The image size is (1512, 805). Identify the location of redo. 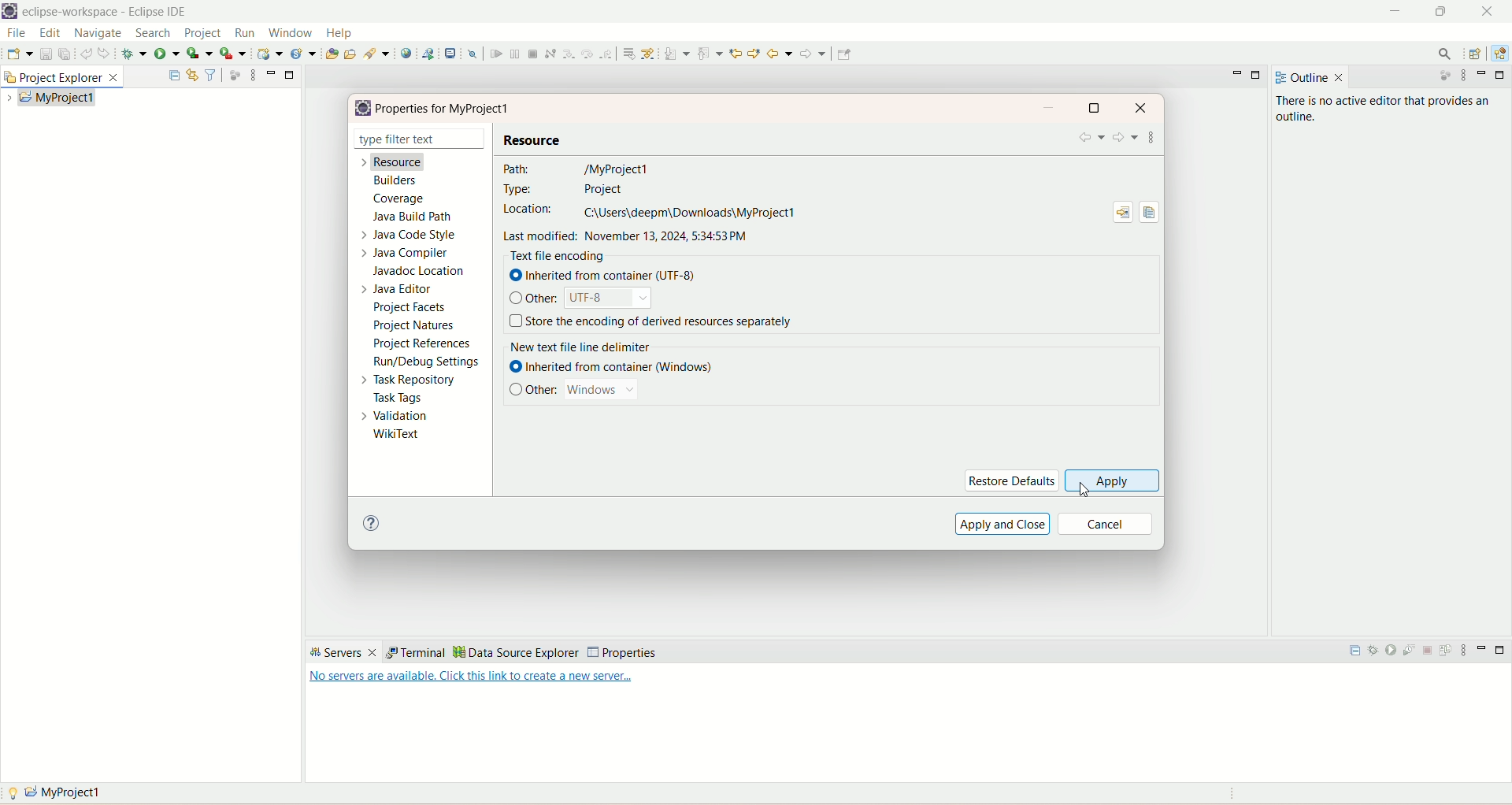
(105, 53).